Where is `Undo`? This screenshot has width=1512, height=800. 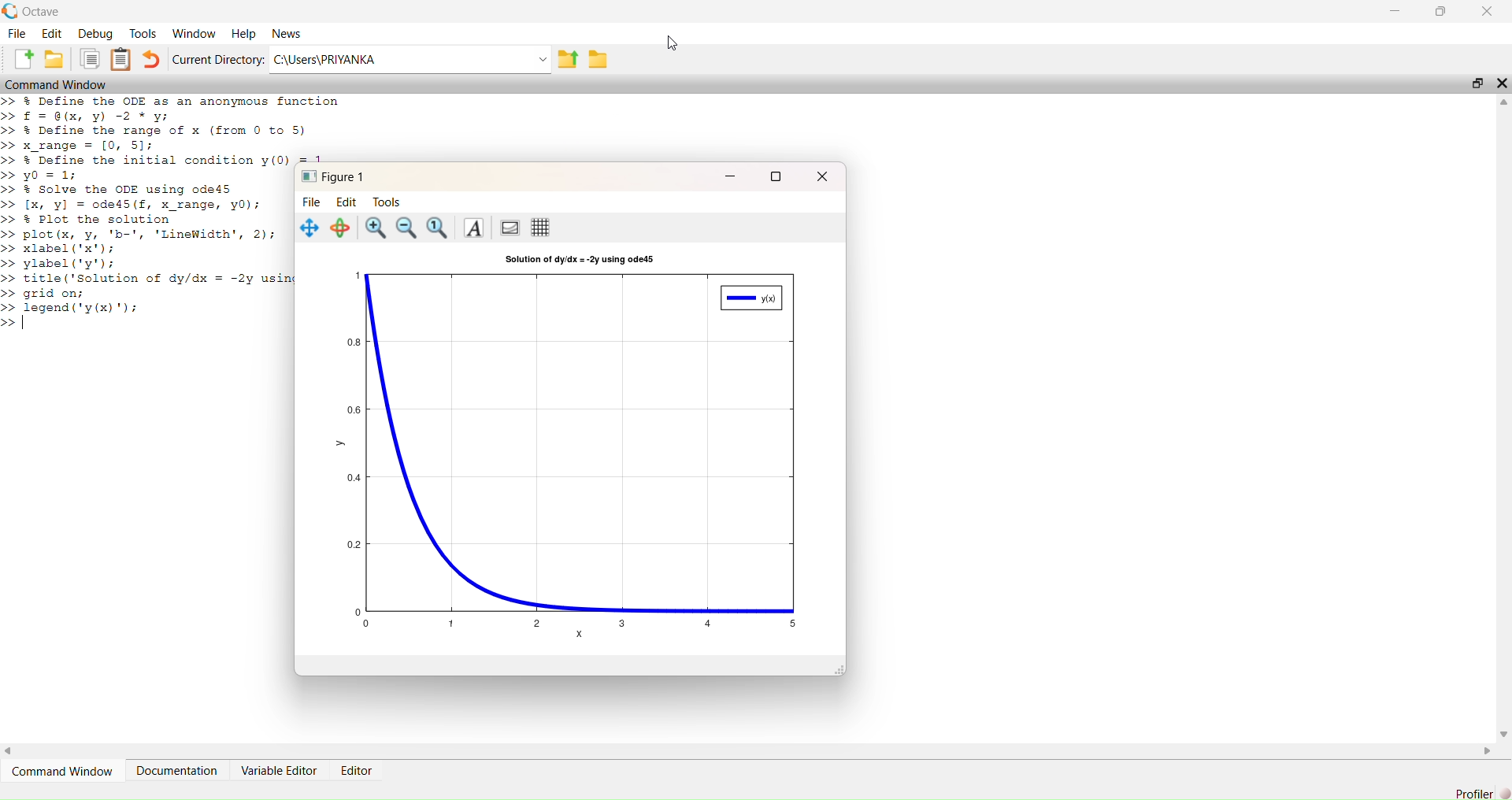 Undo is located at coordinates (152, 59).